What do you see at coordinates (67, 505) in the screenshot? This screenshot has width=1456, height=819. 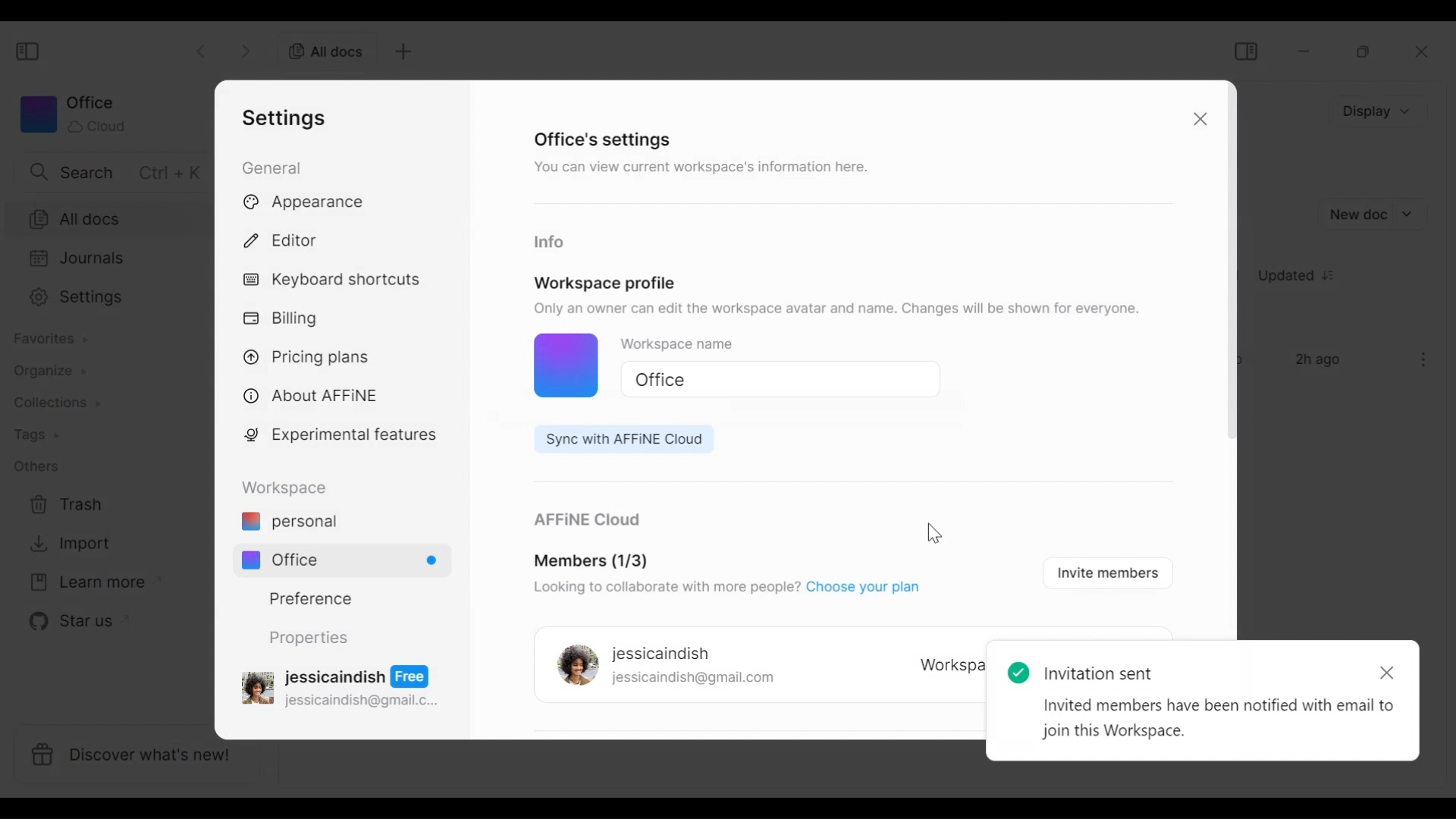 I see `Trash` at bounding box center [67, 505].